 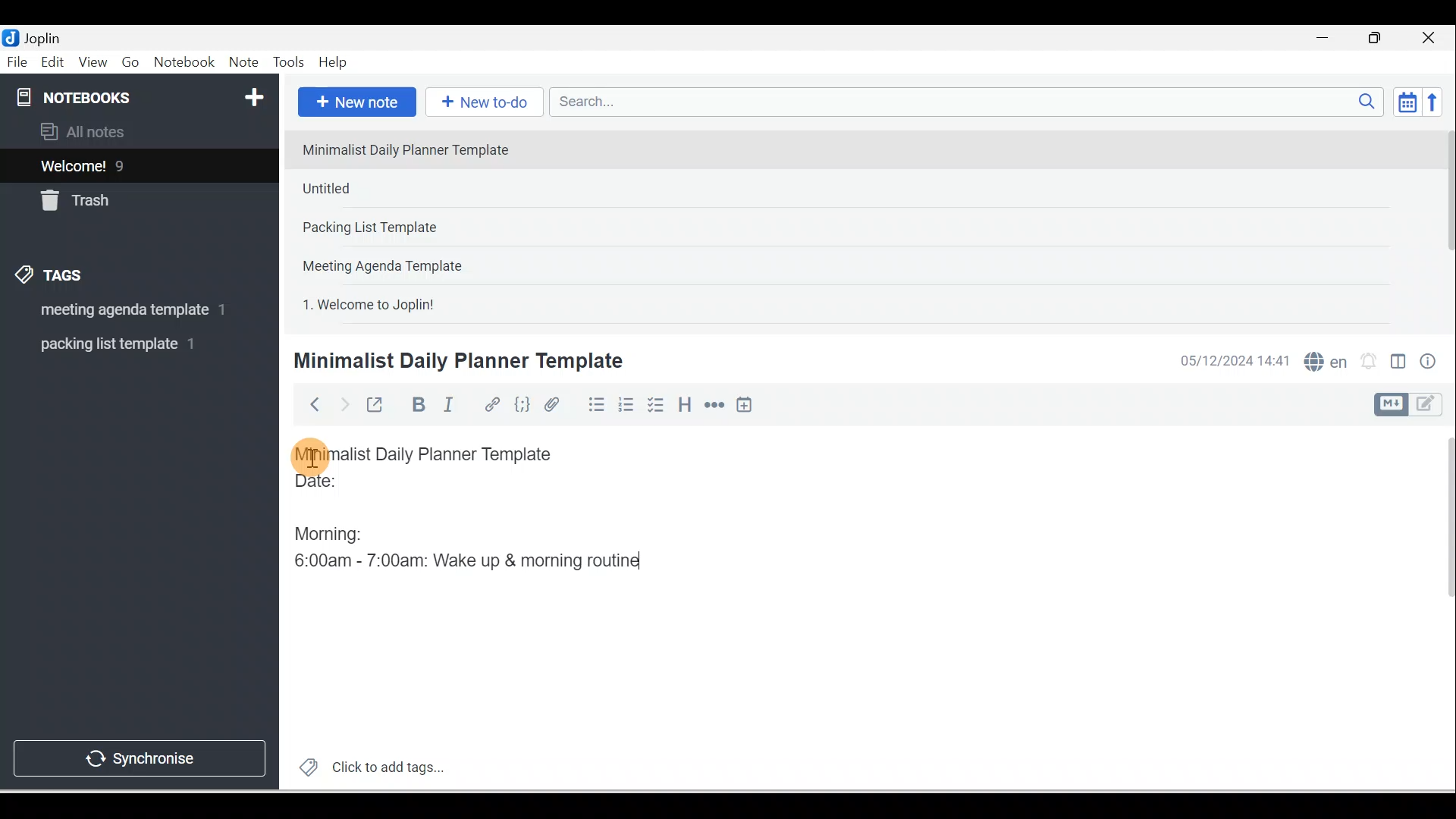 What do you see at coordinates (128, 344) in the screenshot?
I see `Tag 2` at bounding box center [128, 344].